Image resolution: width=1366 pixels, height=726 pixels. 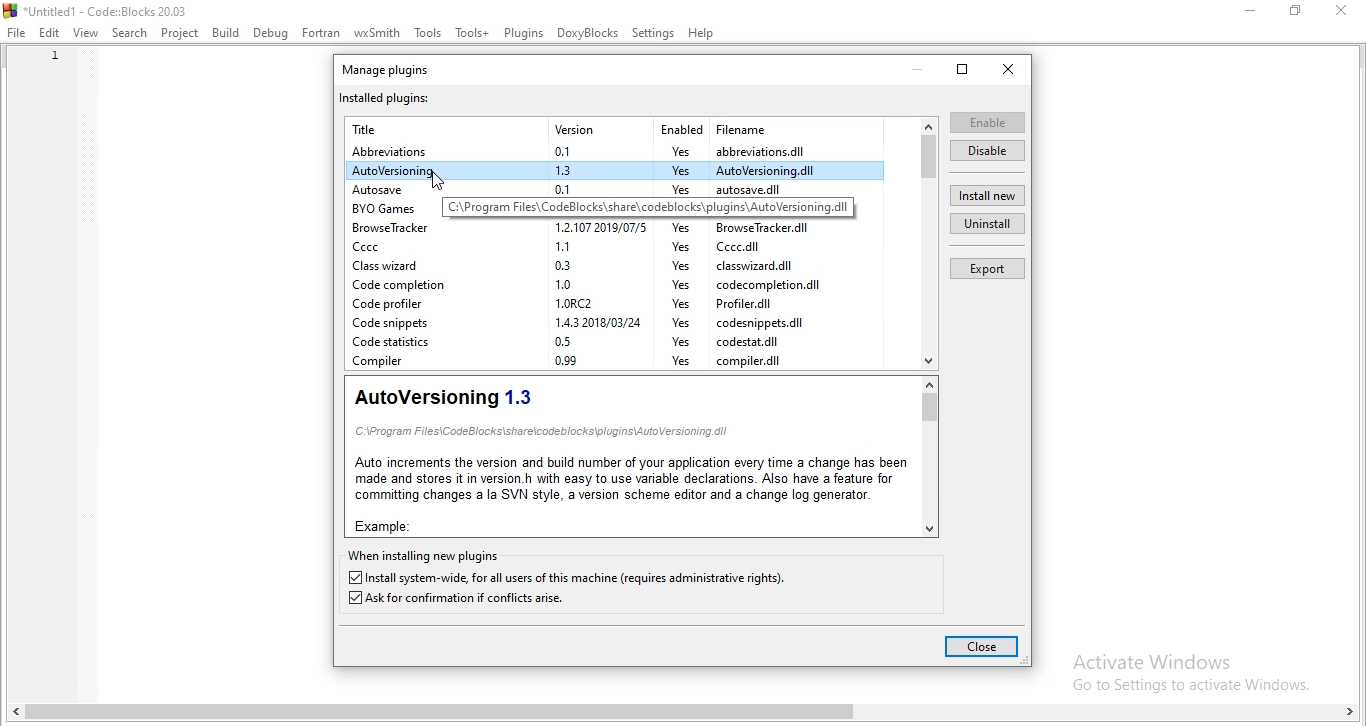 I want to click on IRD INCTSMETKS (NS Version and DUD NUMDEr OF YOUr SpPRCETION Svery time 3 Change has been
‘made and stores it in version. h with easy to use variable declarations. Also have a feature for
committing changes a la SVN style, a version scheme editor and a change log generator., so click(x=629, y=481).